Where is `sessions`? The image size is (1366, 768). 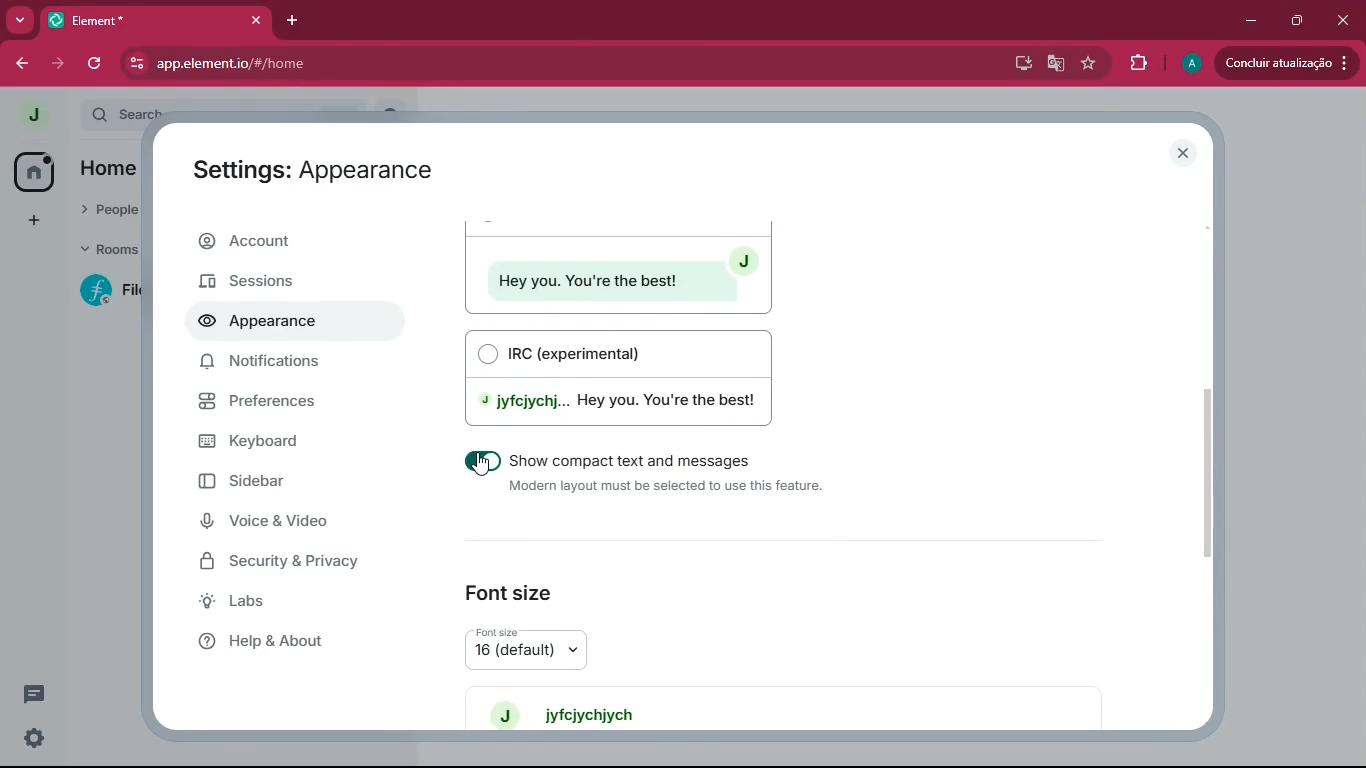 sessions is located at coordinates (288, 283).